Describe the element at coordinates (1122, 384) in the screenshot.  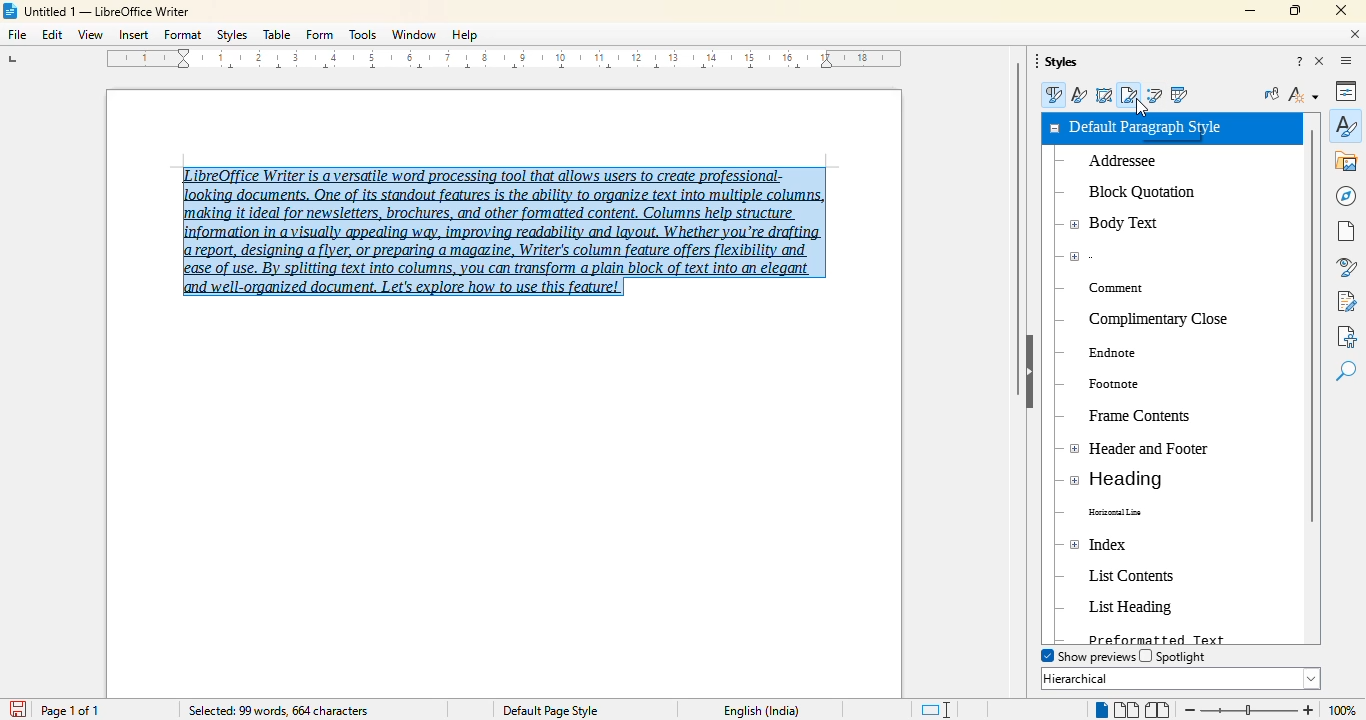
I see `Footnote` at that location.